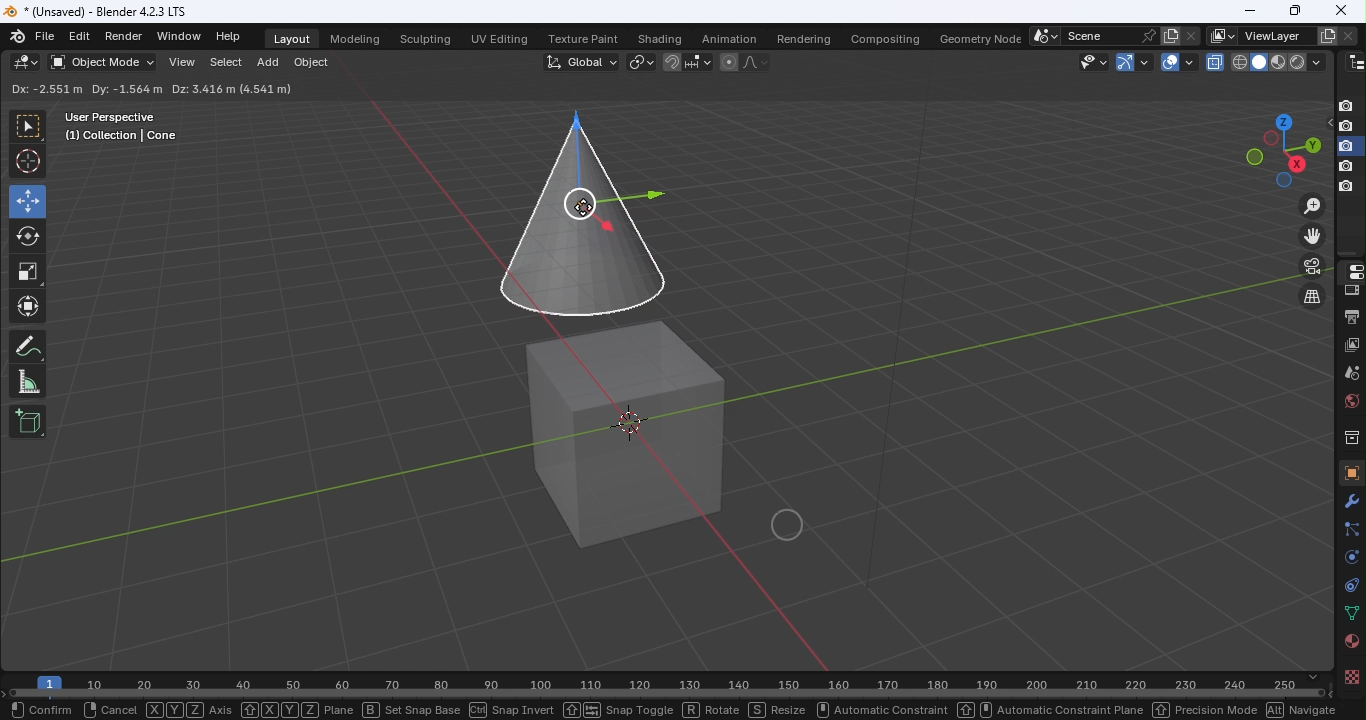 This screenshot has width=1366, height=720. Describe the element at coordinates (126, 88) in the screenshot. I see `Default` at that location.